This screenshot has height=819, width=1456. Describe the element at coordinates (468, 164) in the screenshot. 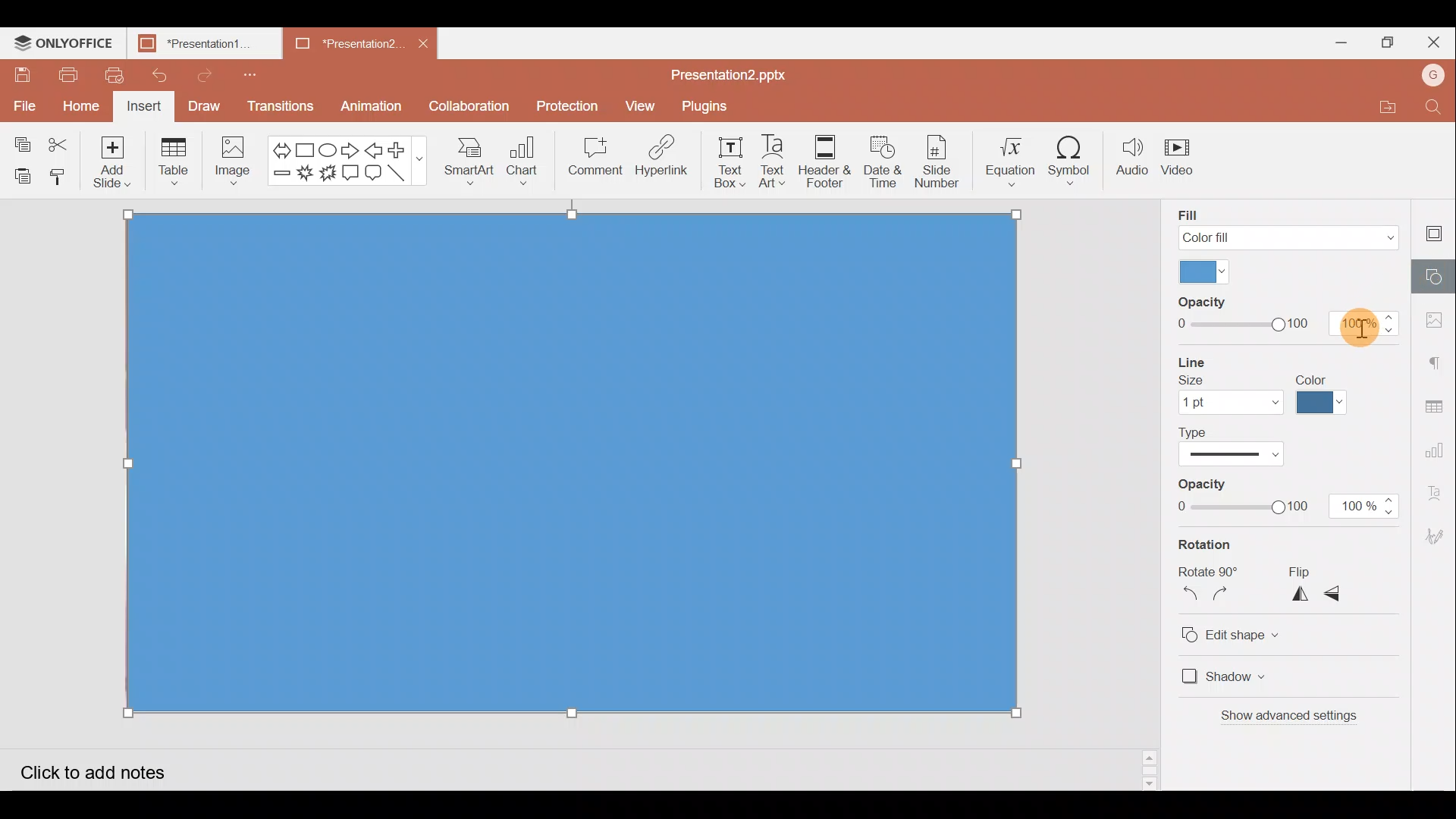

I see `SmartArt` at that location.